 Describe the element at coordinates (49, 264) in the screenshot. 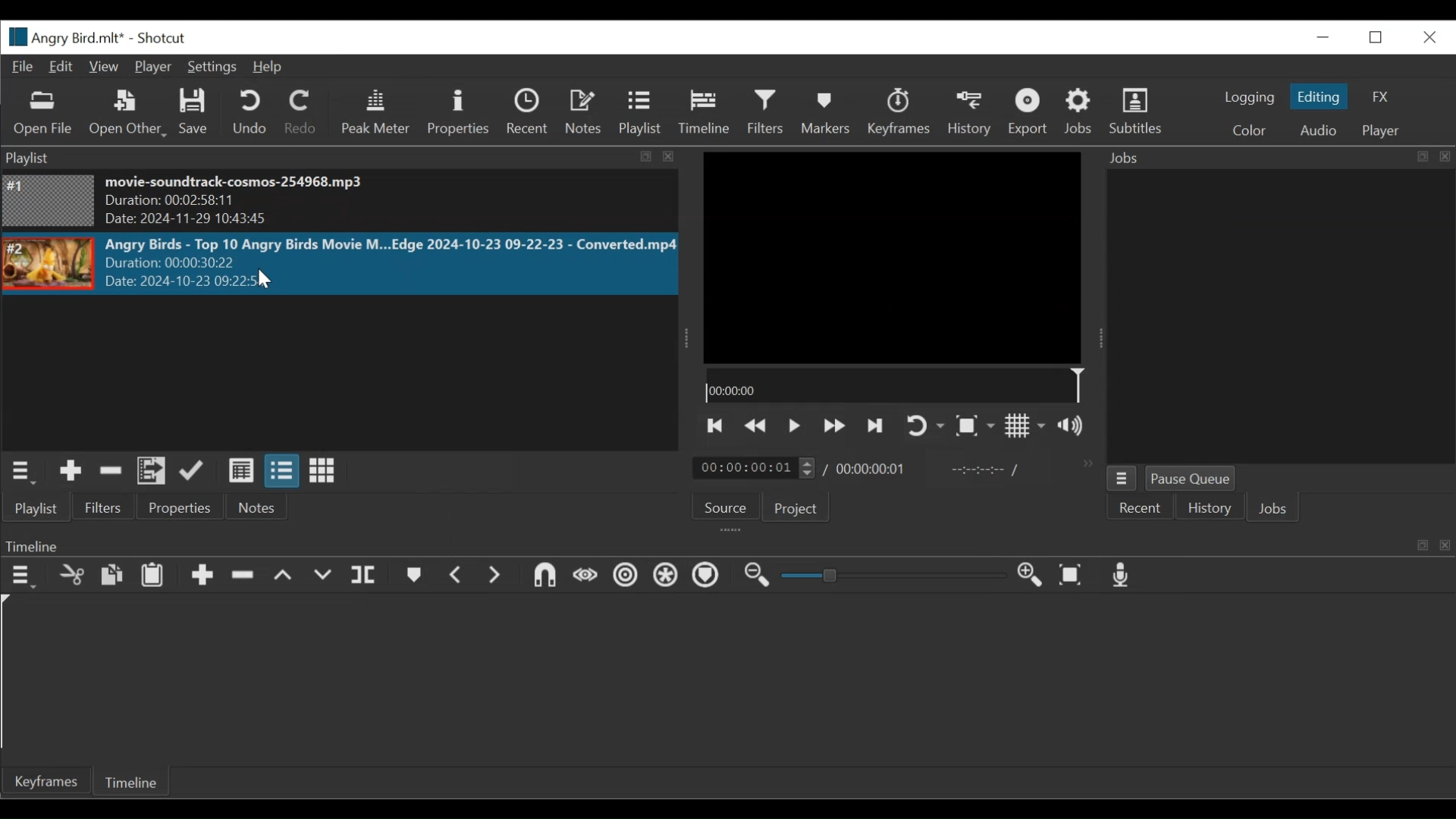

I see `Image` at that location.